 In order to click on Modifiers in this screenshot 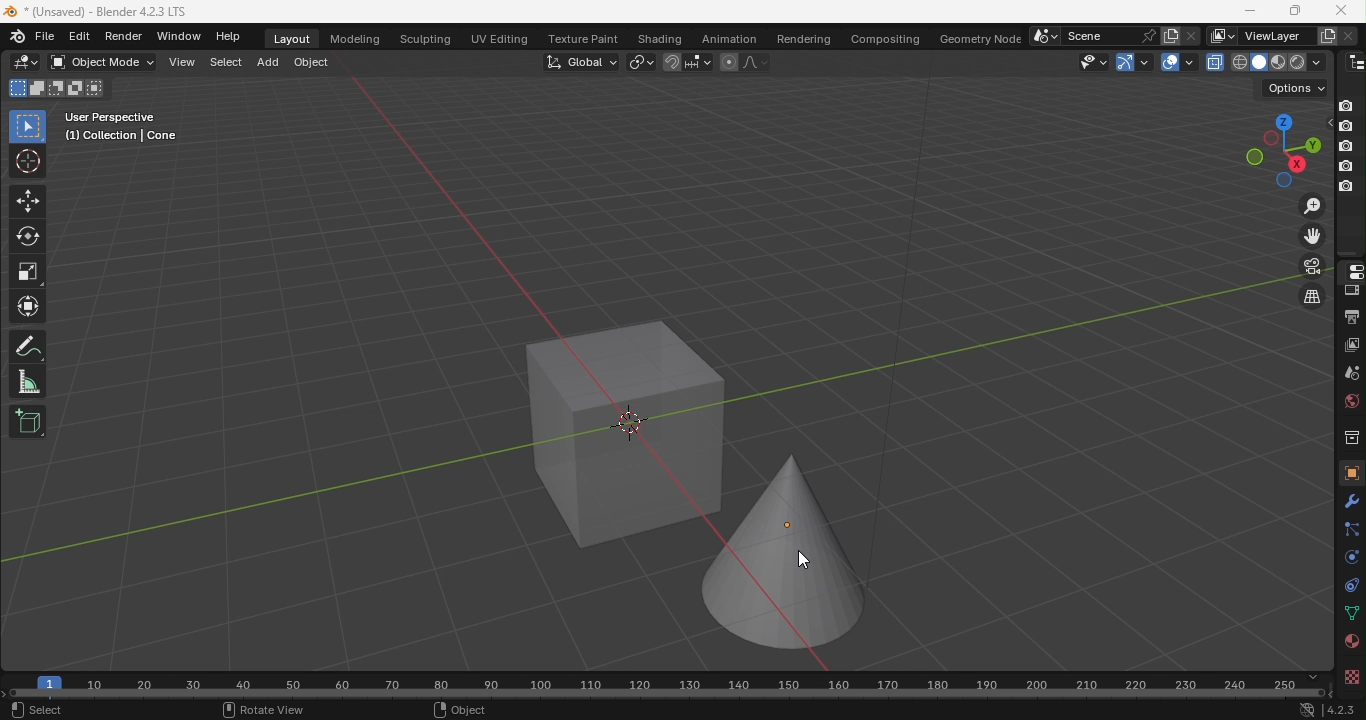, I will do `click(1352, 500)`.